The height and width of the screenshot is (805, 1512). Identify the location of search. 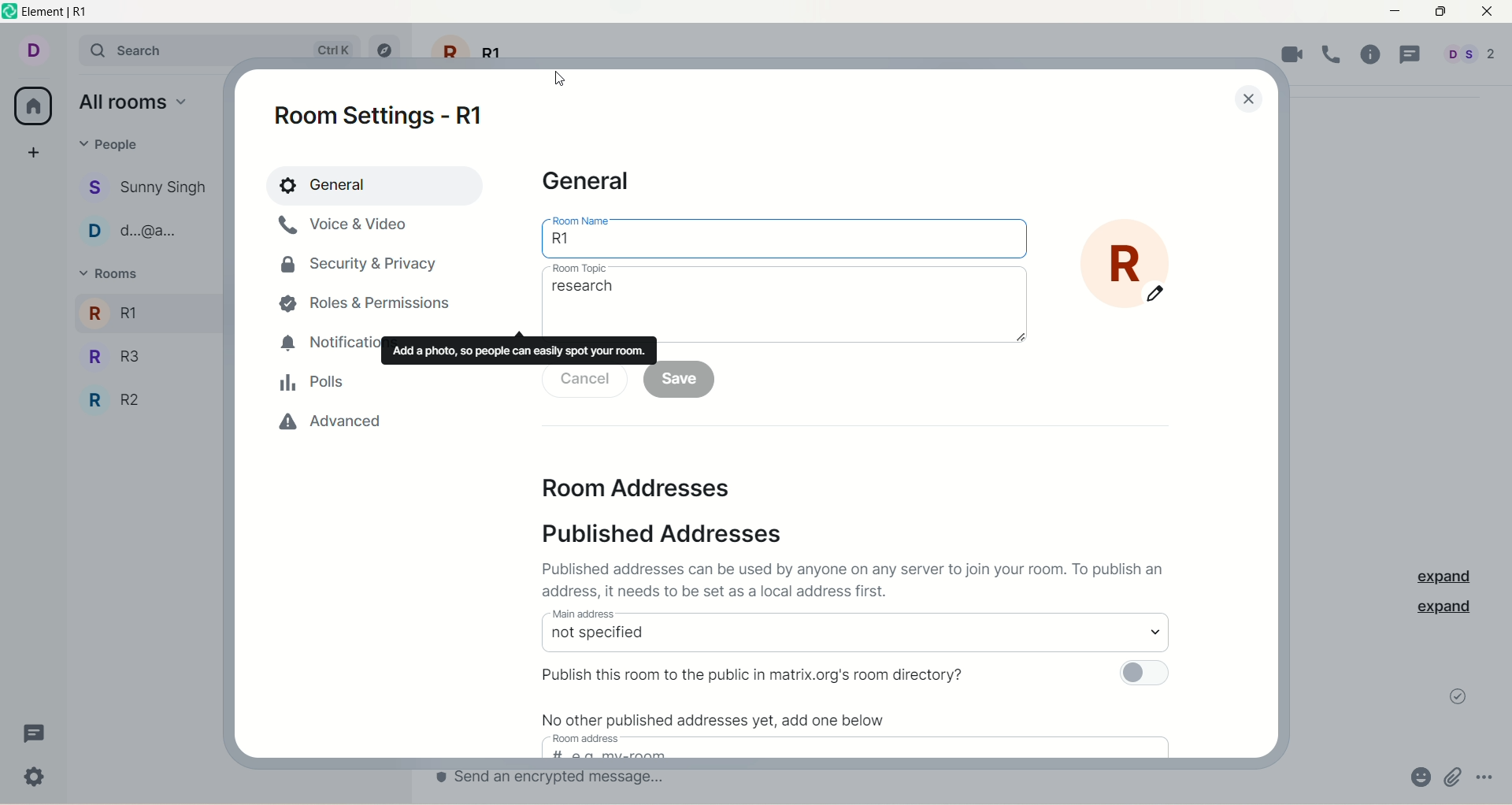
(219, 48).